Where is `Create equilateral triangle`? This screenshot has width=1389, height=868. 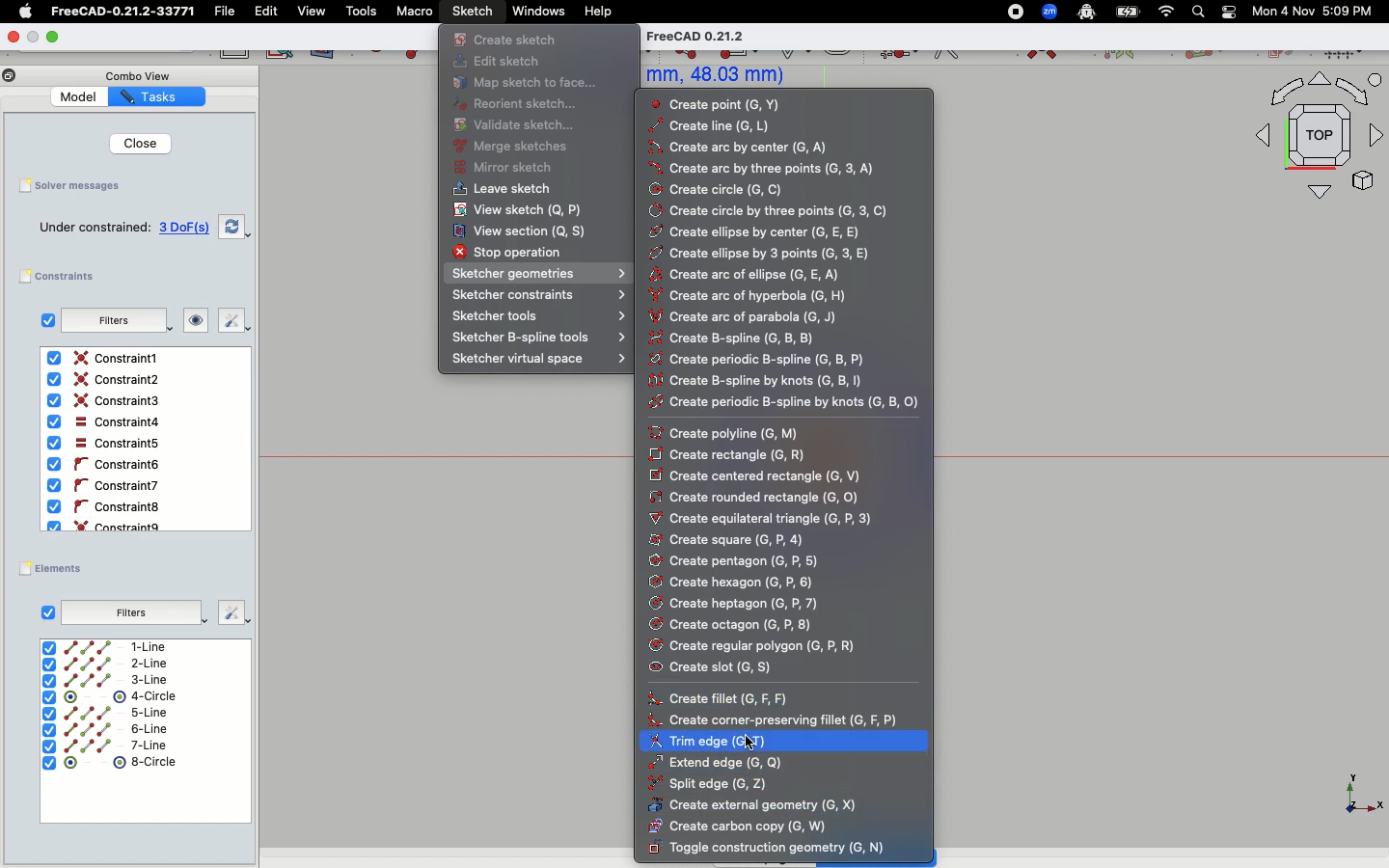 Create equilateral triangle is located at coordinates (760, 519).